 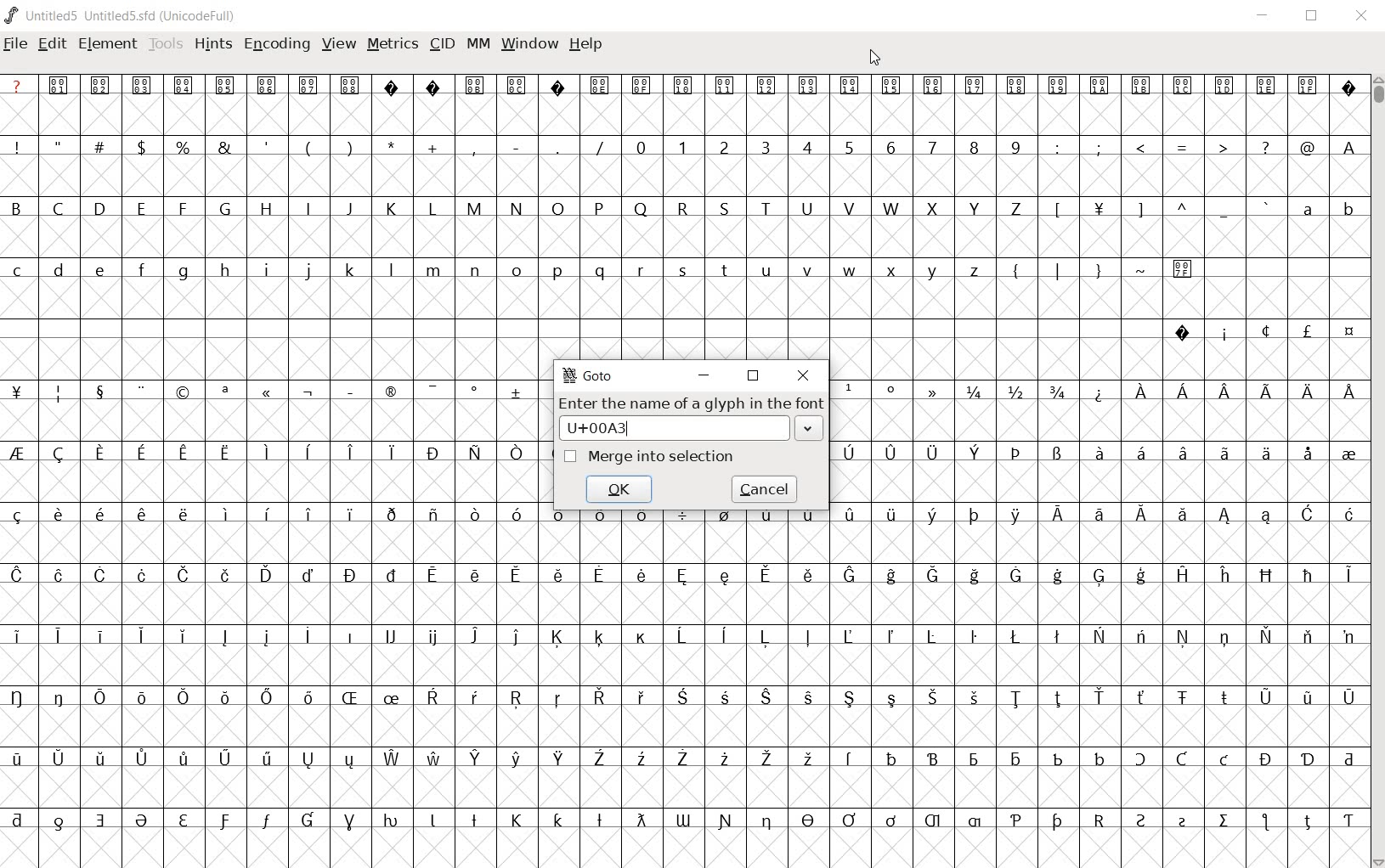 I want to click on Symbol, so click(x=1224, y=86).